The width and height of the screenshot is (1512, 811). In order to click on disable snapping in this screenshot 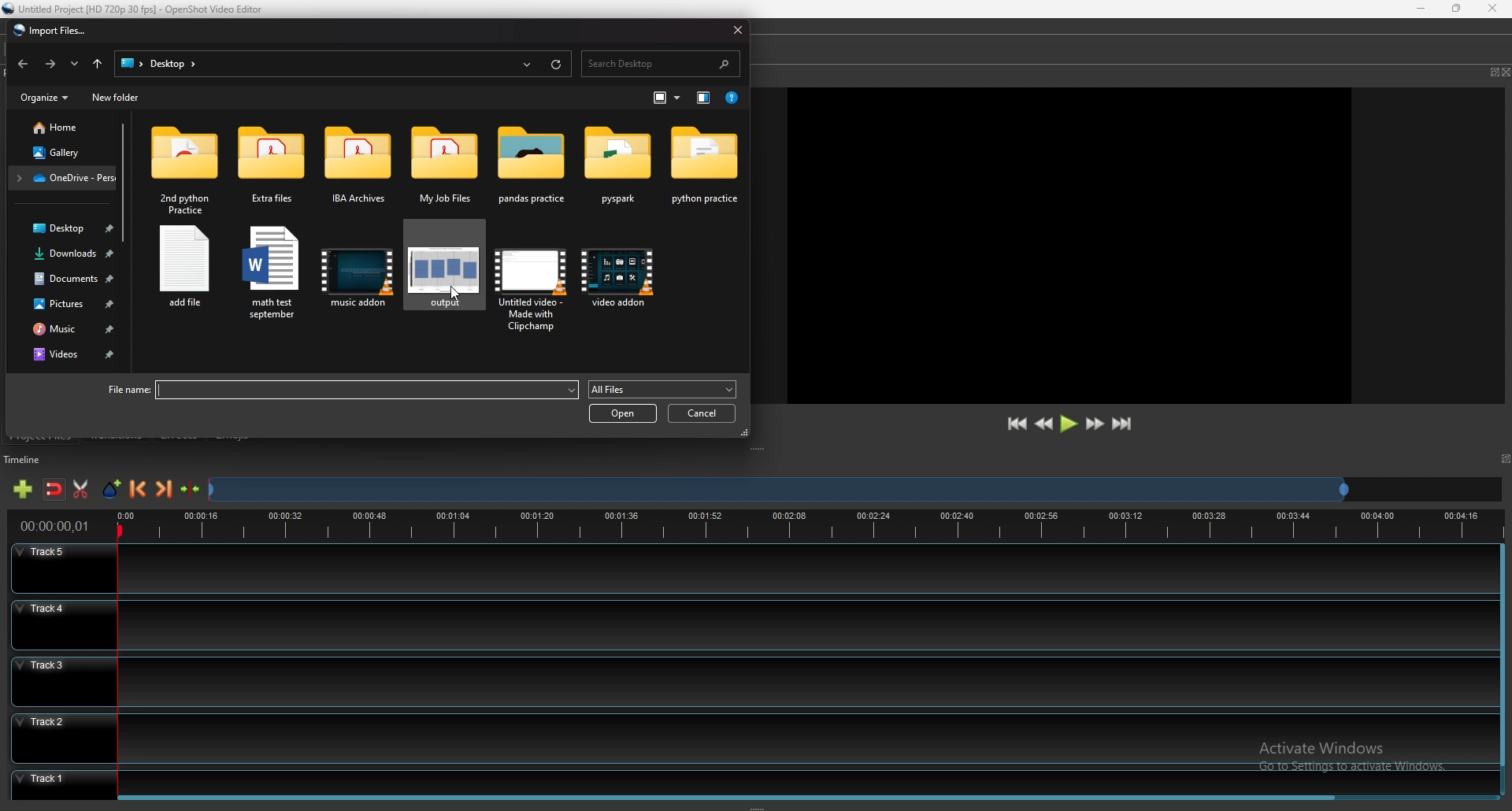, I will do `click(54, 490)`.